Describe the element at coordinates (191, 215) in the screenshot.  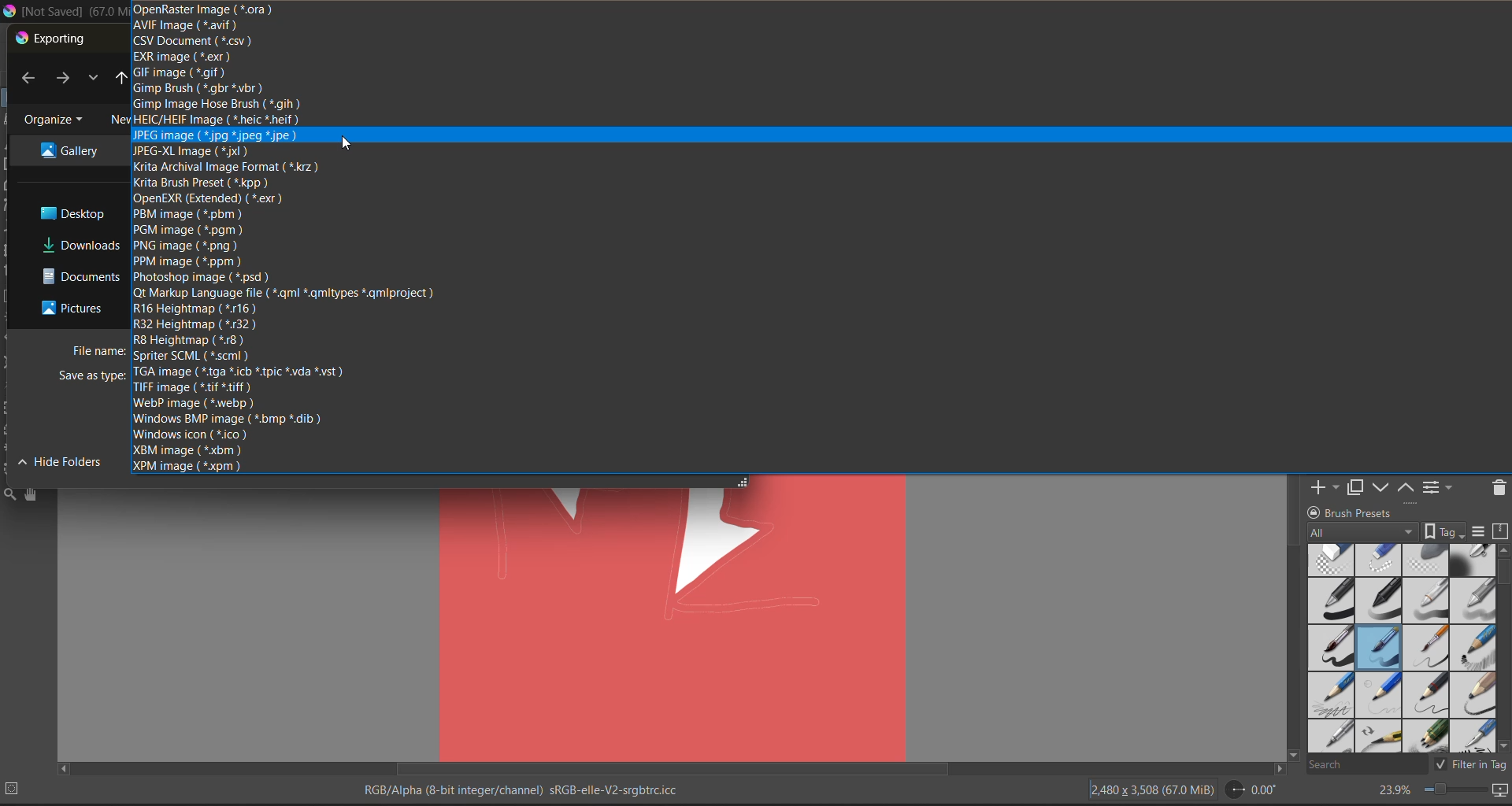
I see `pbm image` at that location.